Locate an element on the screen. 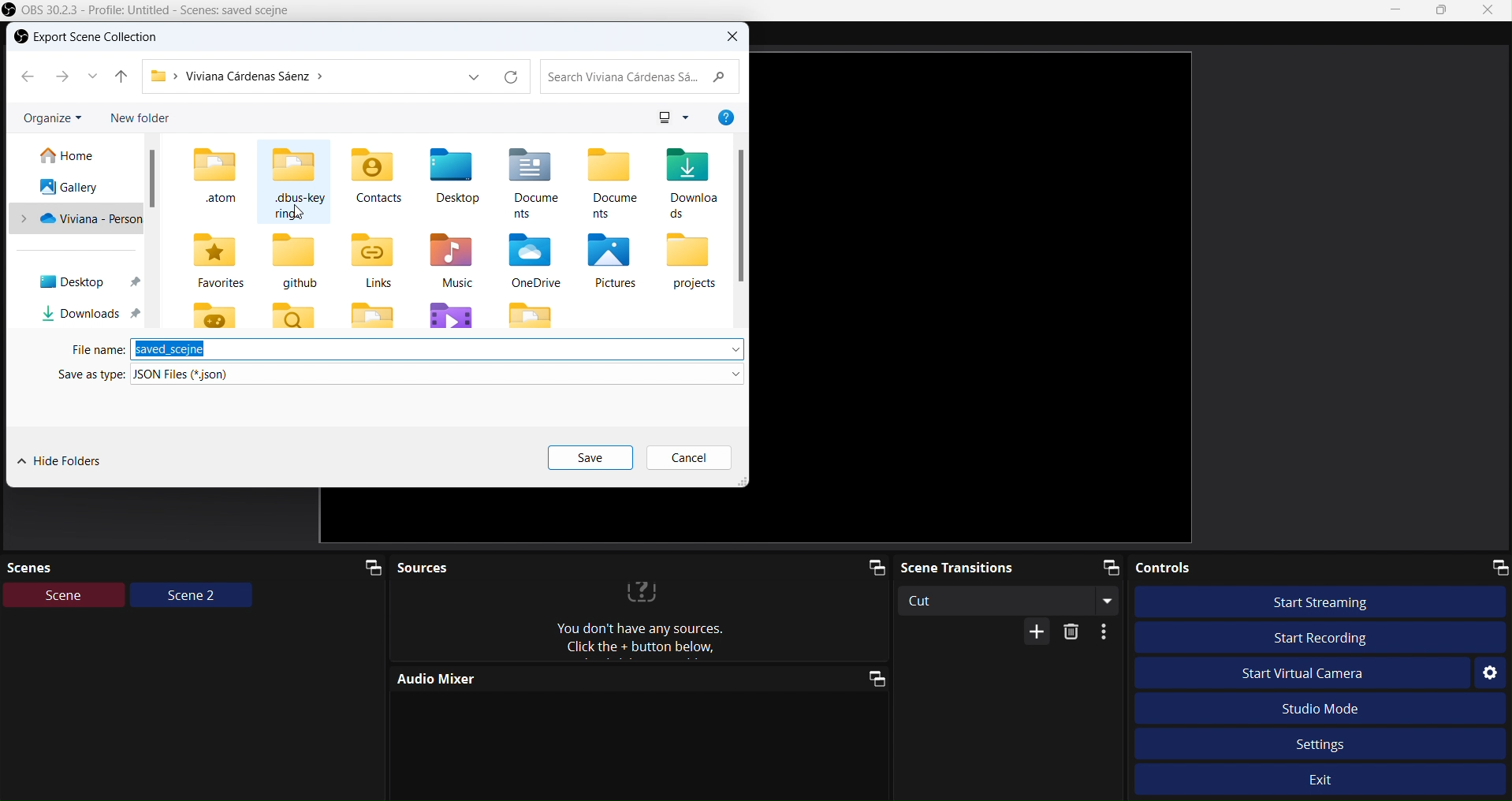 The width and height of the screenshot is (1512, 801). Downloa
ds is located at coordinates (691, 181).